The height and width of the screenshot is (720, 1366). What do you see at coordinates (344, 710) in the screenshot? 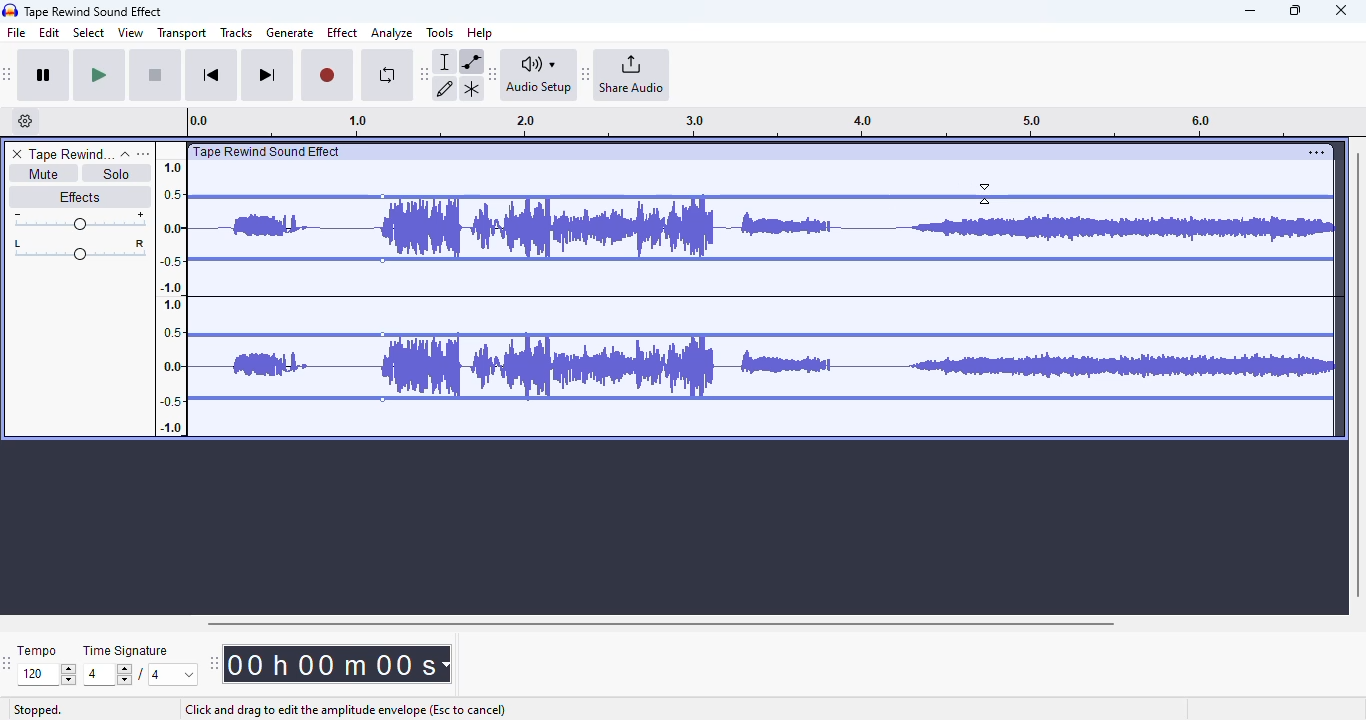
I see `click and drag to edit the amplitude envelope (esc to cancel)` at bounding box center [344, 710].